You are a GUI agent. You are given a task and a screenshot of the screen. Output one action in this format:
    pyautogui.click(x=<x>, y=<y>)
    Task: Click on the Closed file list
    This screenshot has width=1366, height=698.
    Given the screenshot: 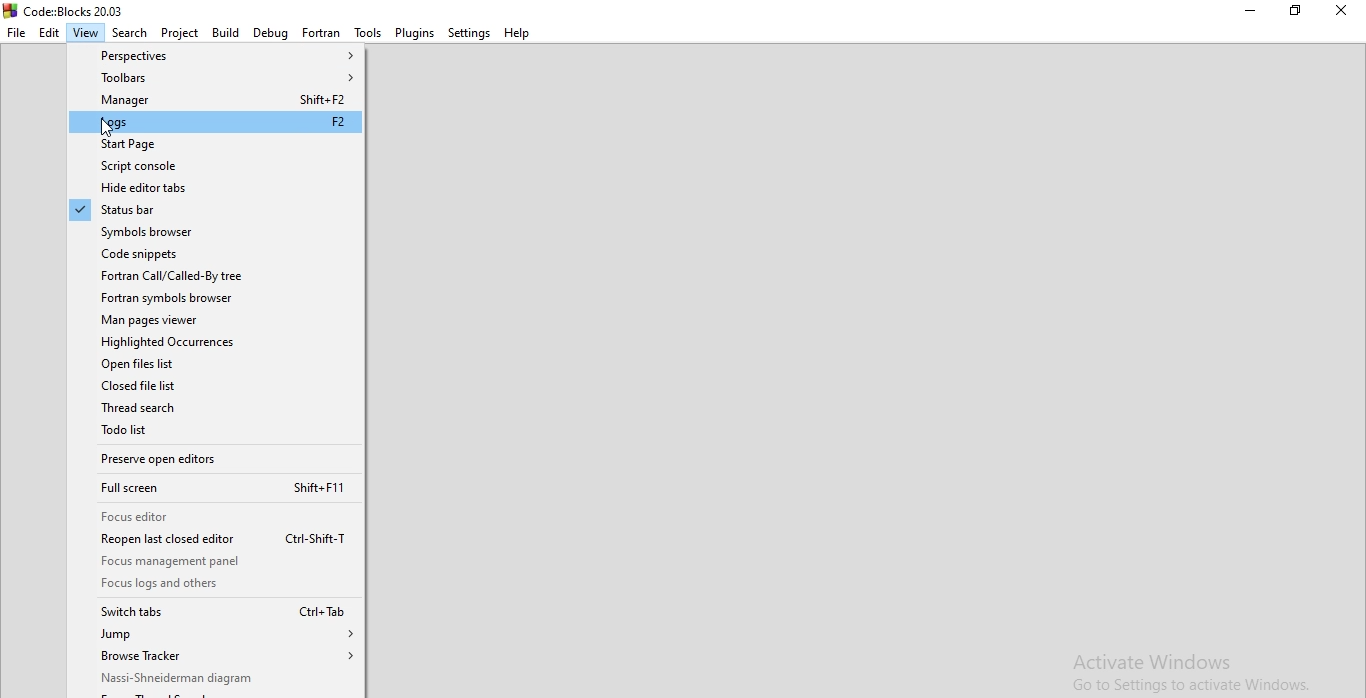 What is the action you would take?
    pyautogui.click(x=216, y=385)
    